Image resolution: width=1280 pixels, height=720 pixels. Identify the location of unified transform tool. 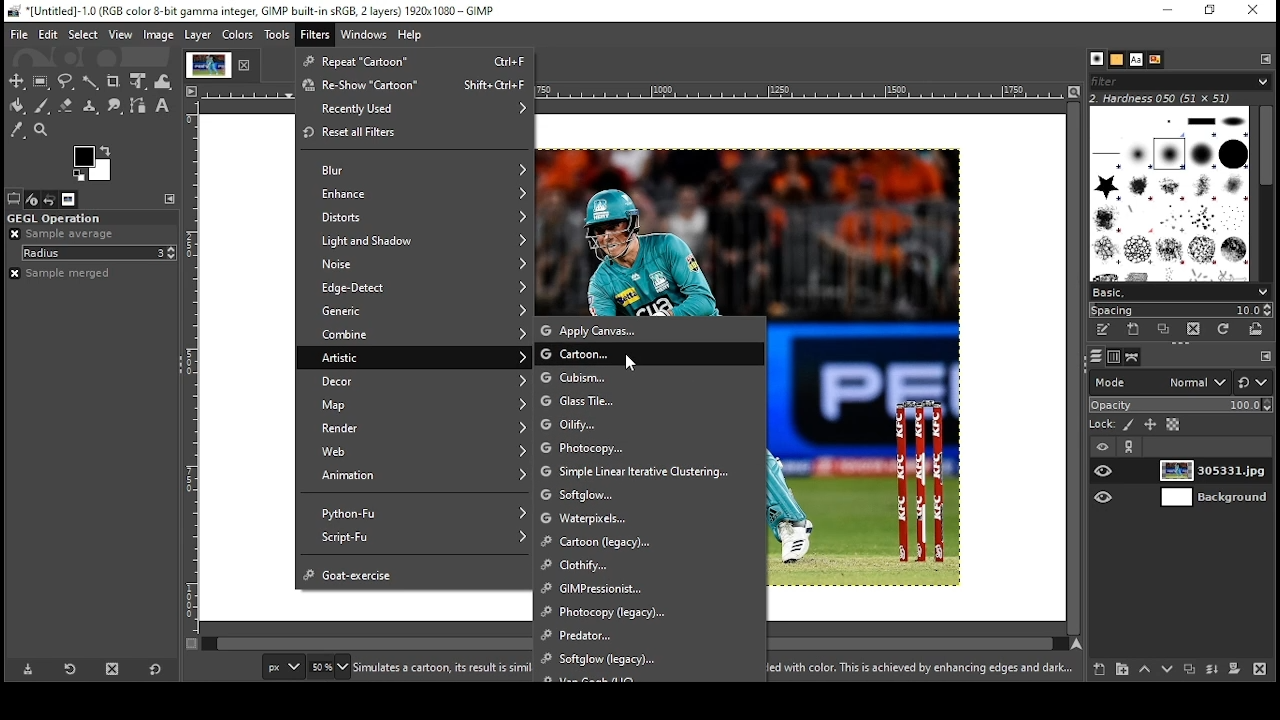
(139, 80).